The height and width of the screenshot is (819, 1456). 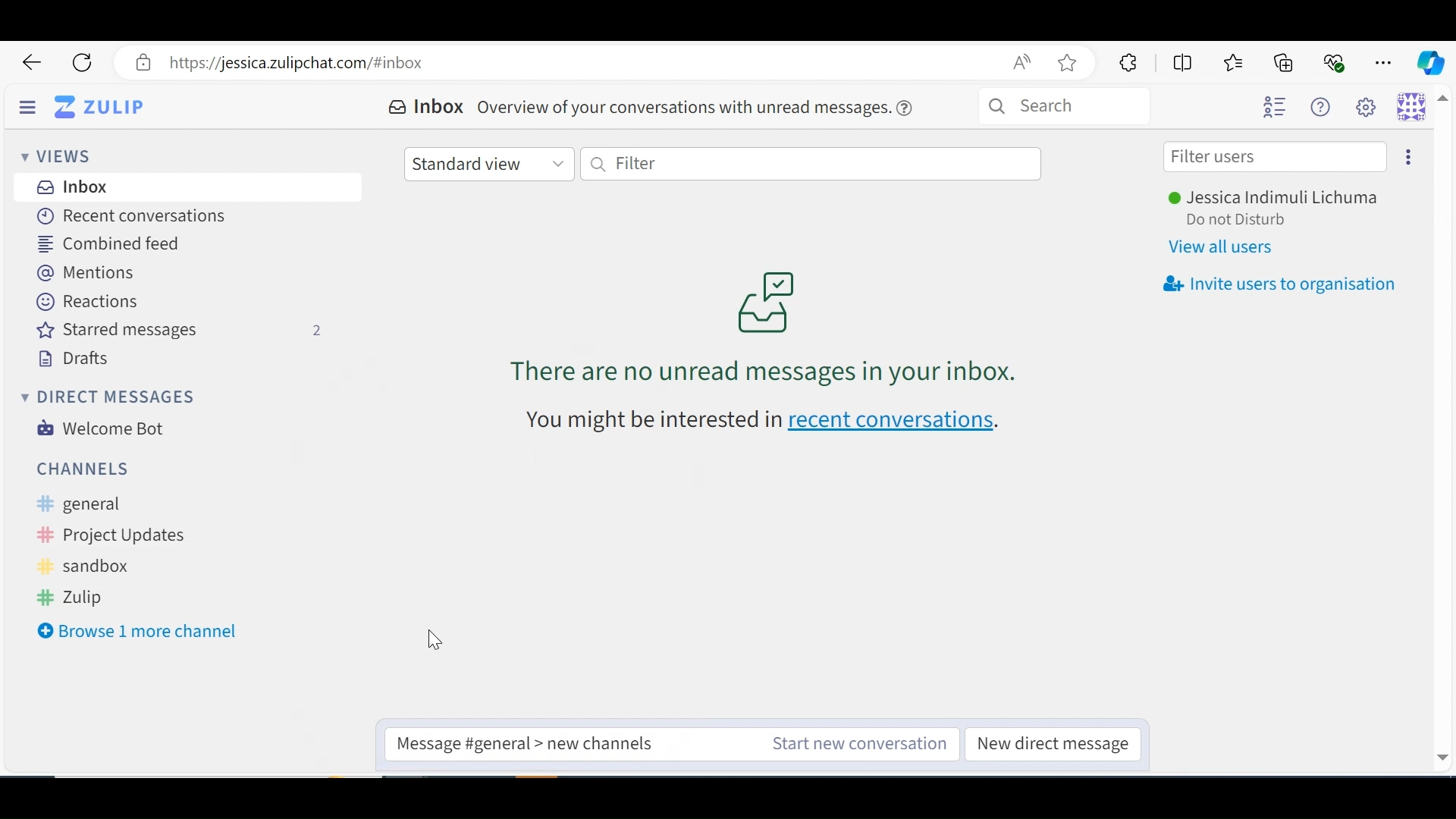 I want to click on Direct Messages, so click(x=105, y=396).